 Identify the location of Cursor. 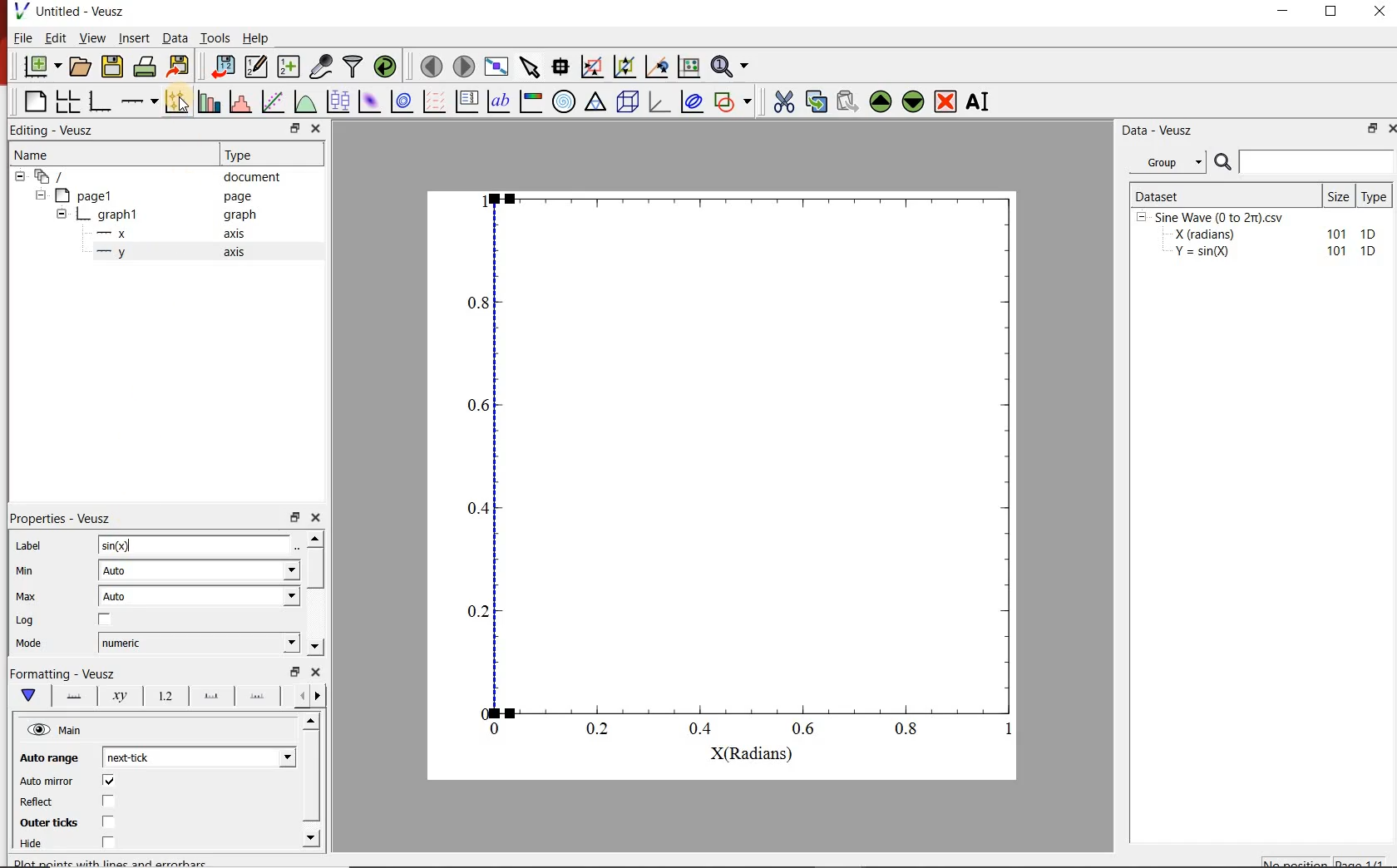
(126, 544).